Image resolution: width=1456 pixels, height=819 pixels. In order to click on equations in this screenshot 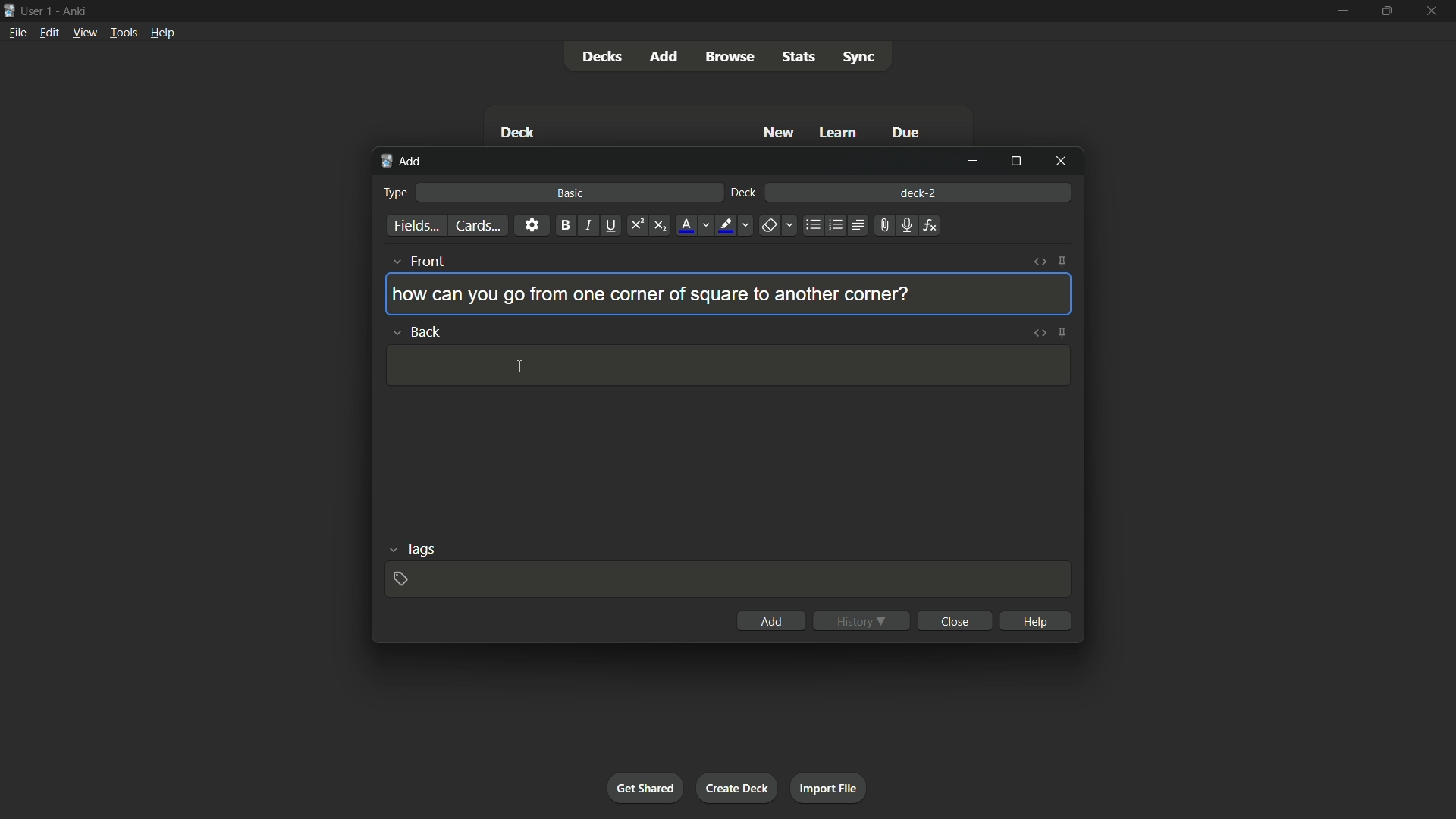, I will do `click(932, 226)`.